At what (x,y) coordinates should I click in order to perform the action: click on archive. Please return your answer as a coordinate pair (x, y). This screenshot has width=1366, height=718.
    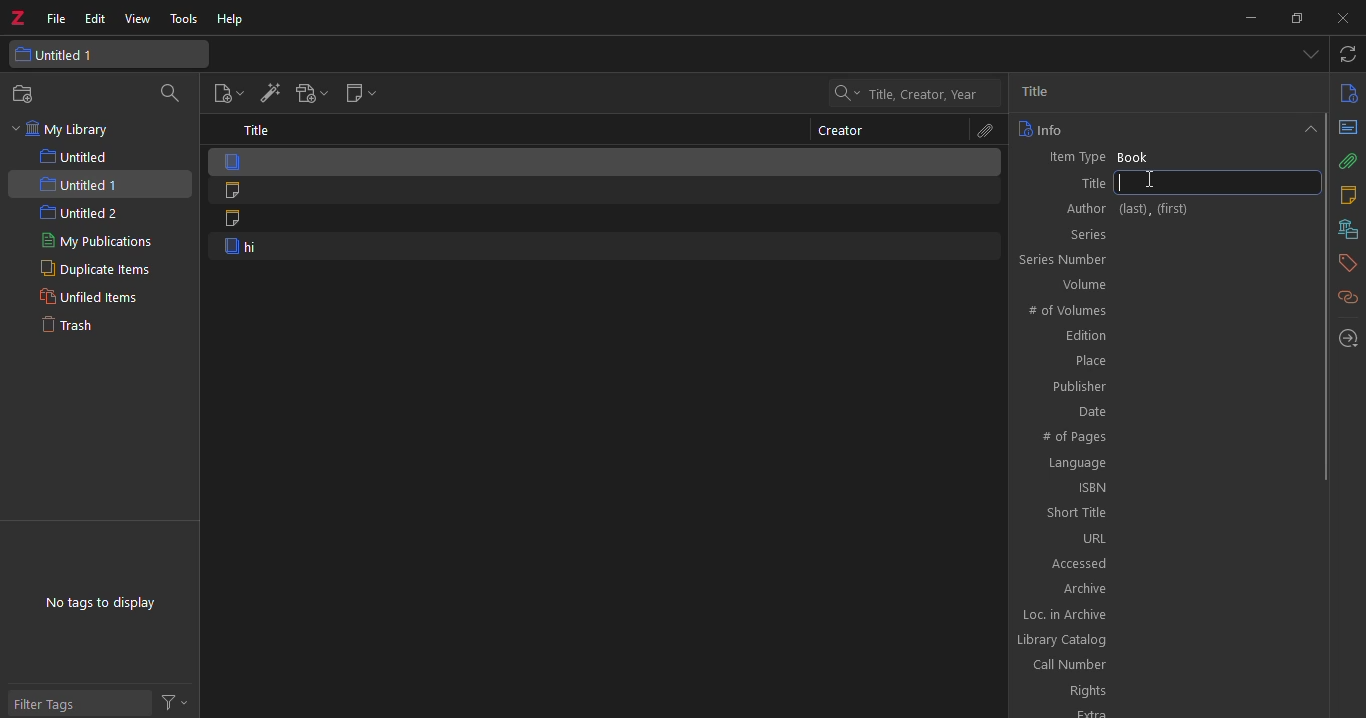
    Looking at the image, I should click on (1165, 588).